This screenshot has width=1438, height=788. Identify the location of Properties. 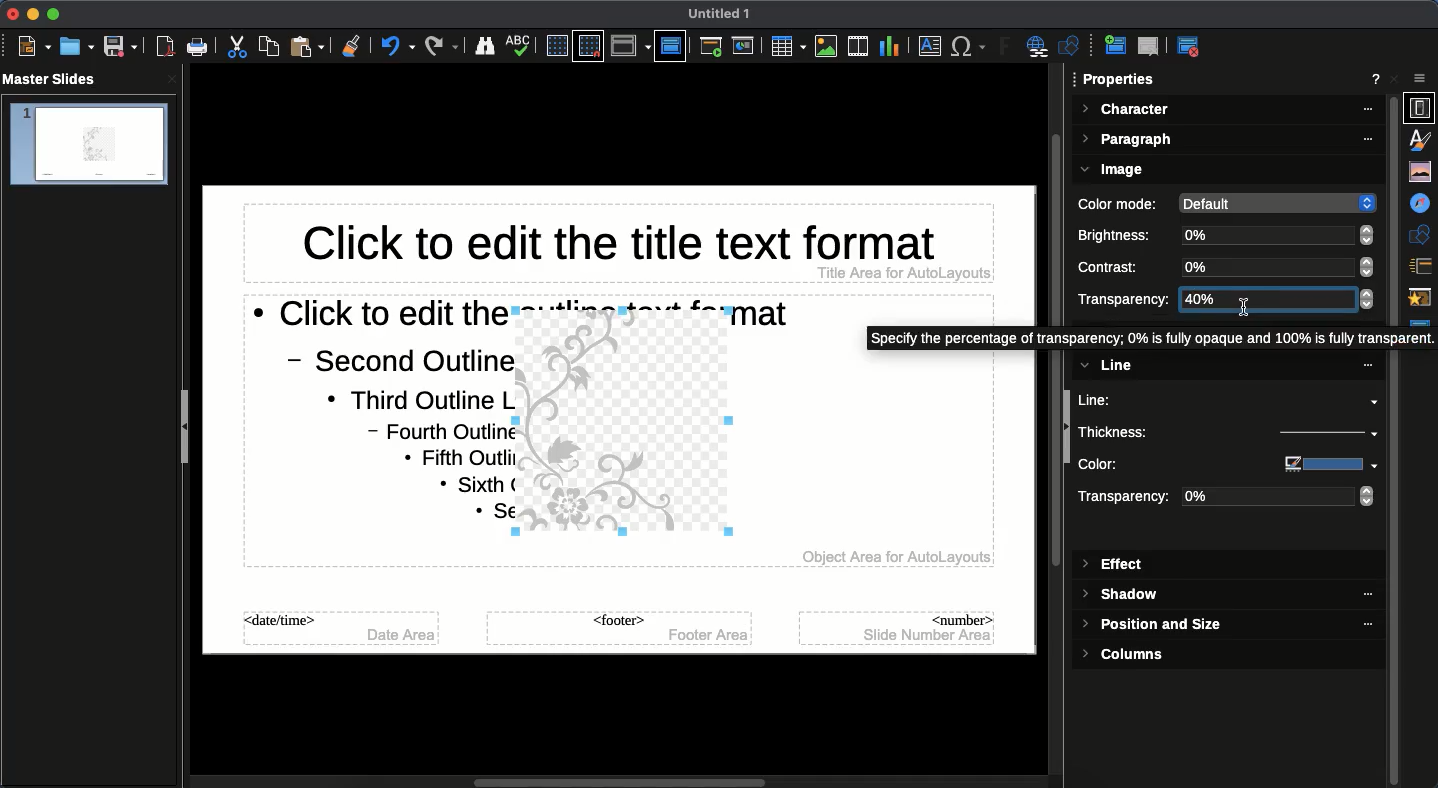
(1120, 80).